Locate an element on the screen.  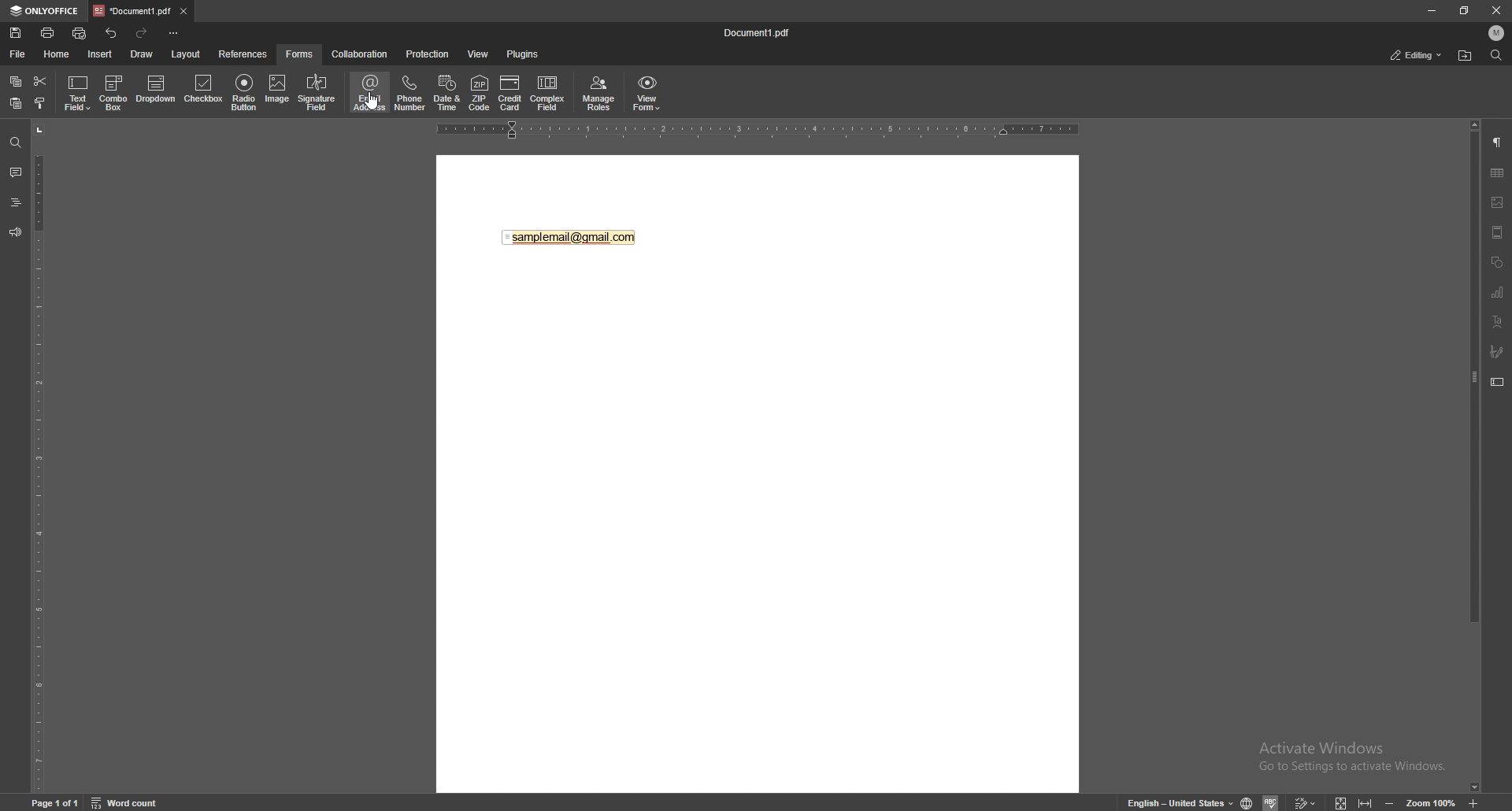
tab is located at coordinates (131, 11).